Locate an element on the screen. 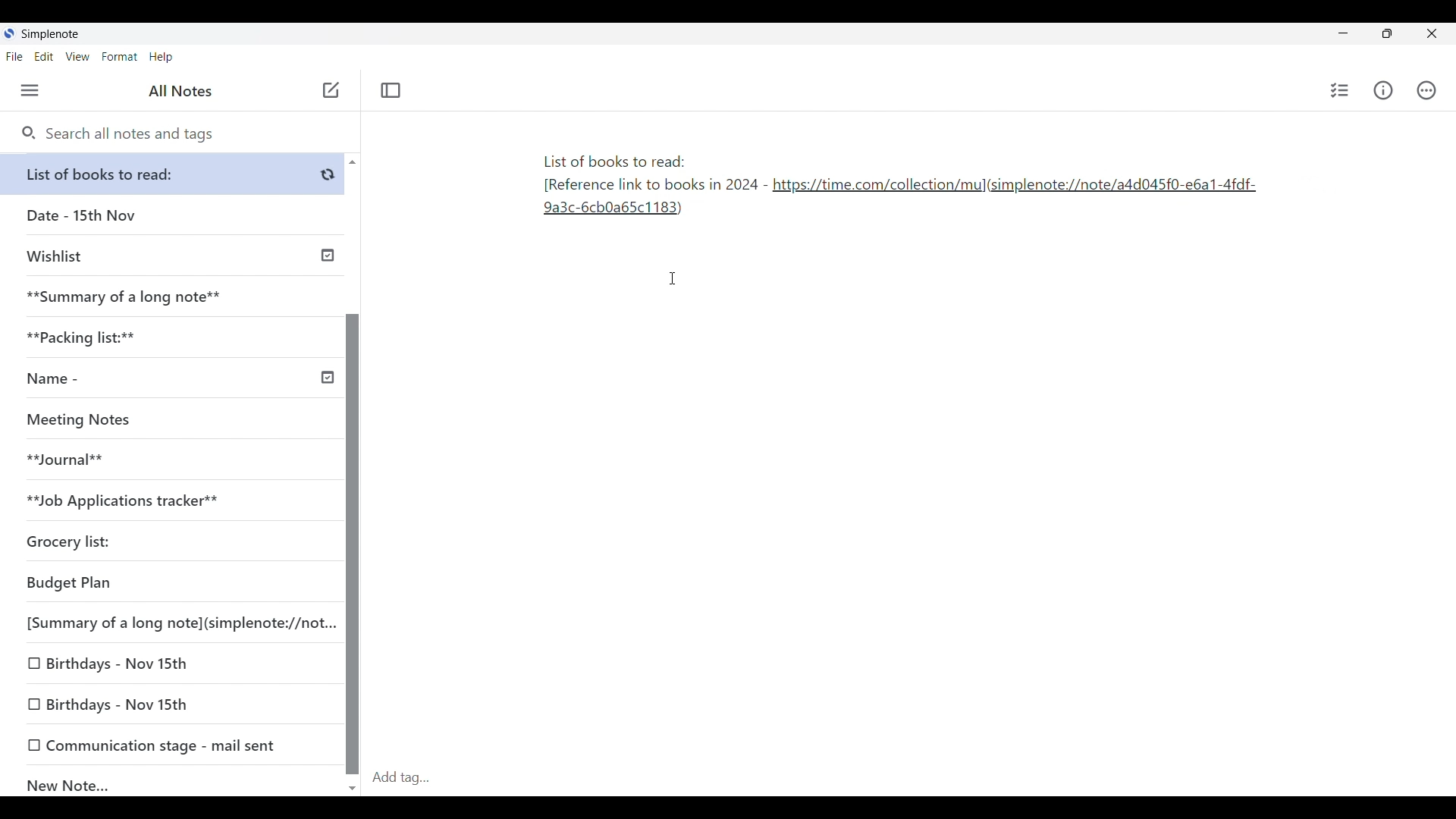 The width and height of the screenshot is (1456, 819). Insert checklist is located at coordinates (1340, 90).